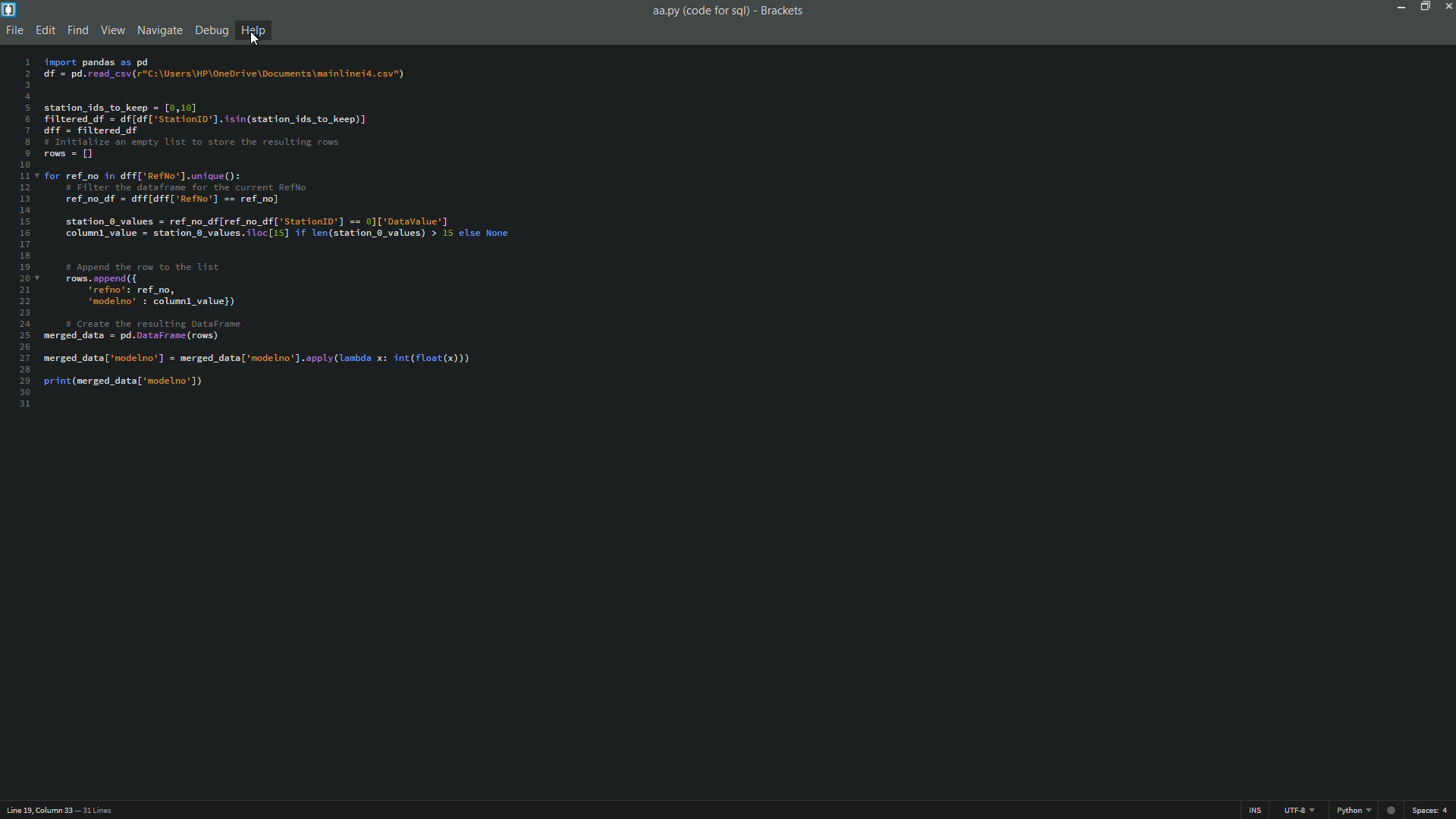 The image size is (1456, 819). I want to click on number of lines, so click(99, 811).